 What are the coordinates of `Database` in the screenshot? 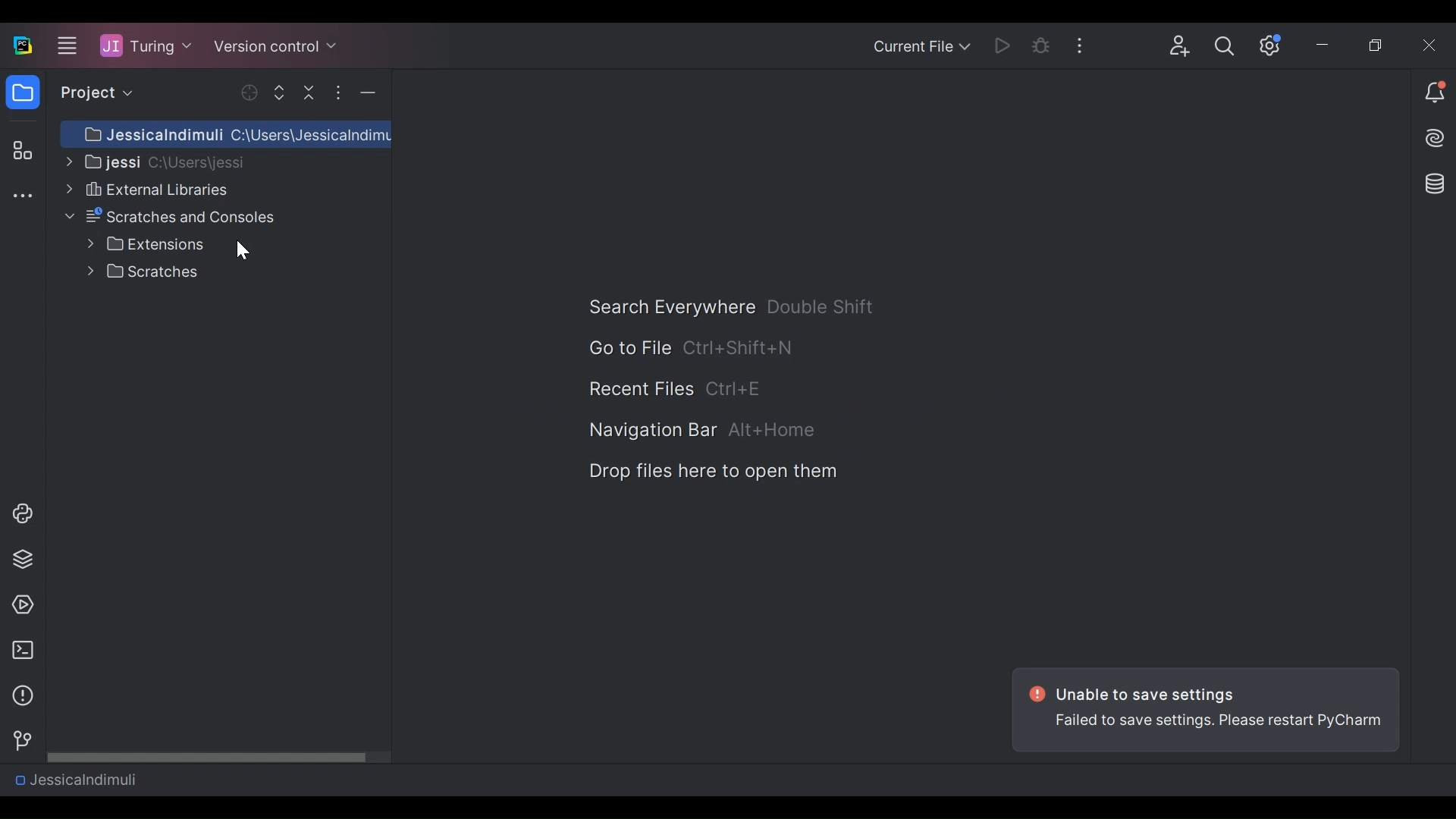 It's located at (1432, 183).